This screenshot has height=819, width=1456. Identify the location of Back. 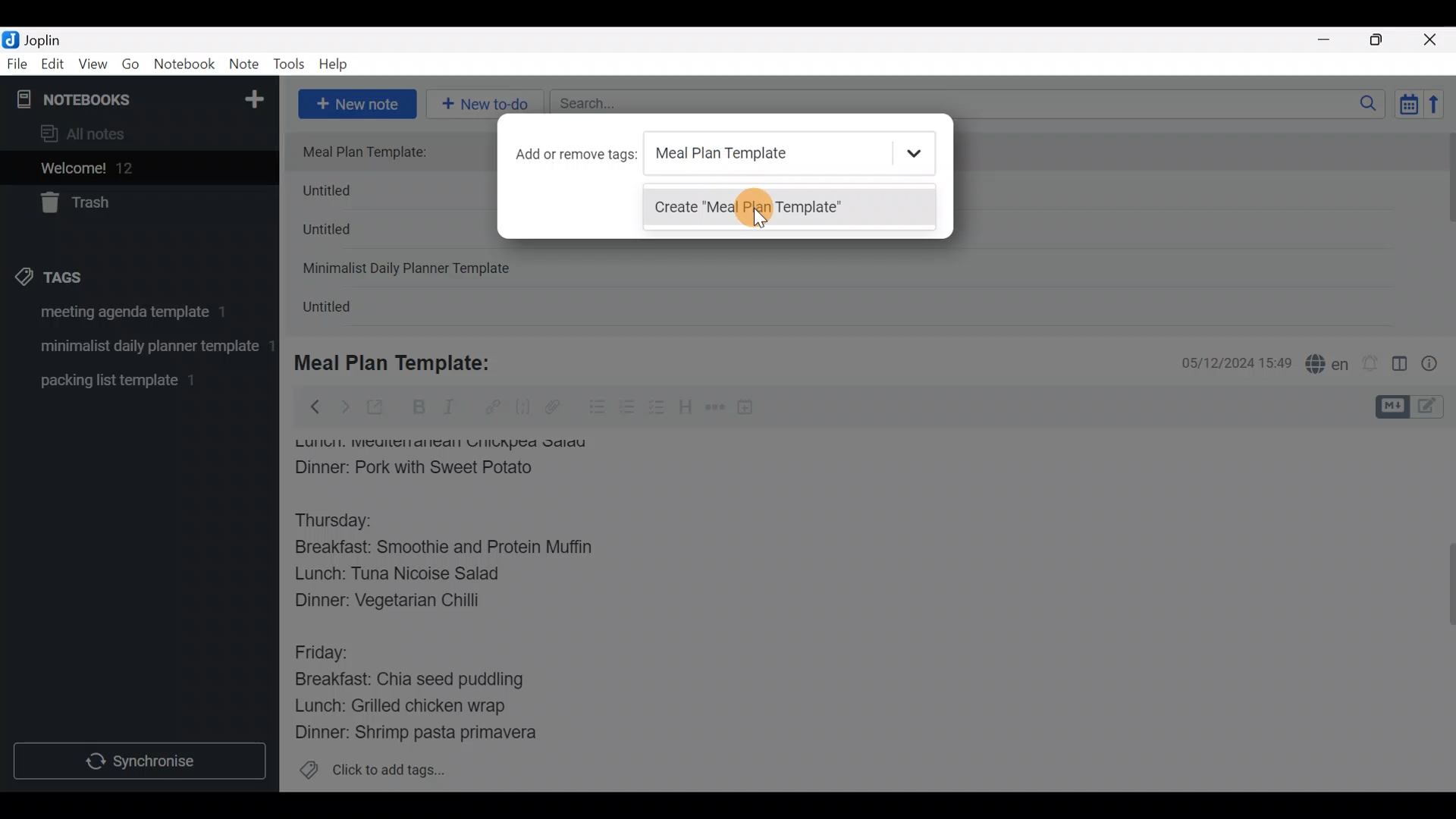
(309, 406).